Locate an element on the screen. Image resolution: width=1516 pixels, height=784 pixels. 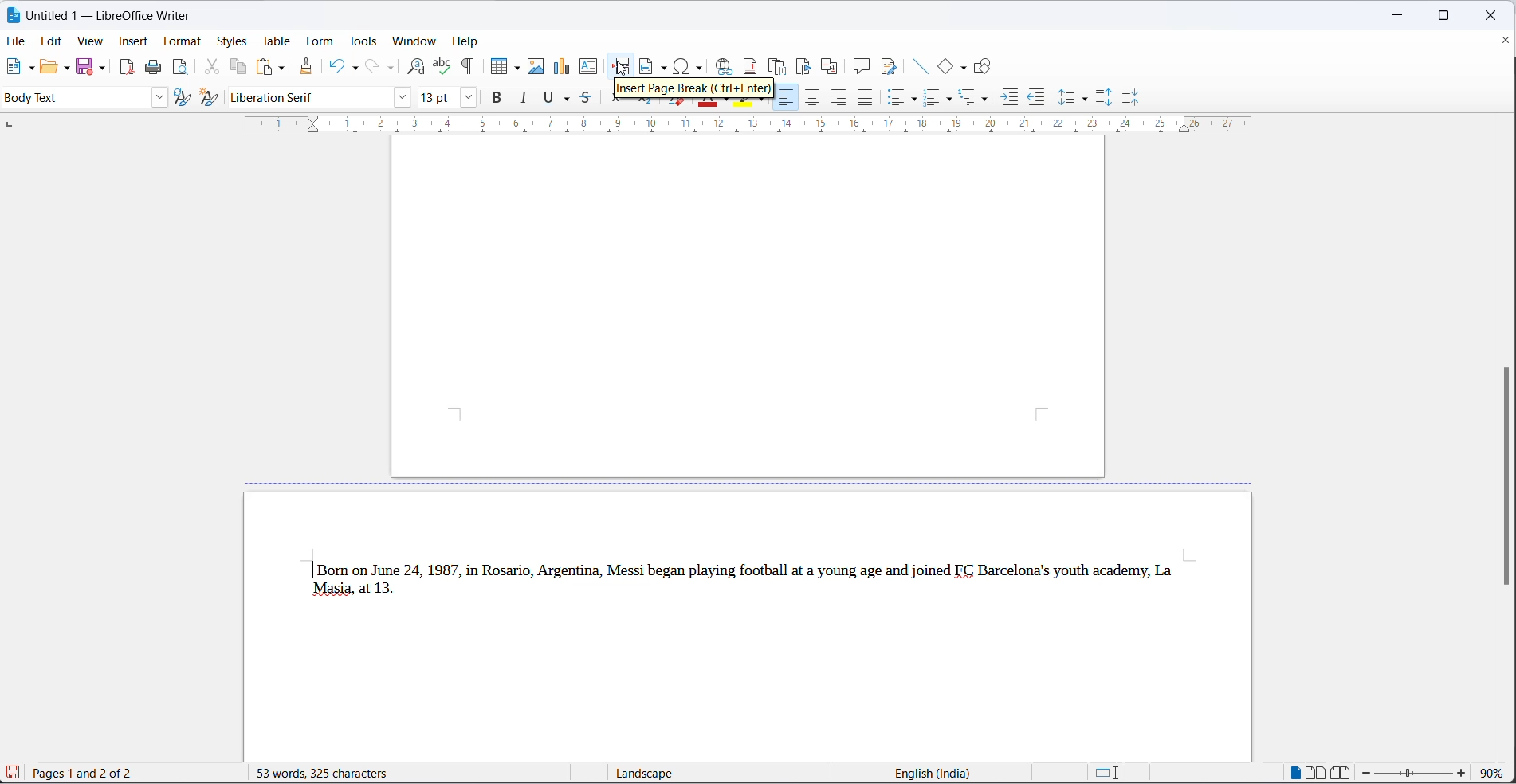
zoom percentage is located at coordinates (1495, 772).